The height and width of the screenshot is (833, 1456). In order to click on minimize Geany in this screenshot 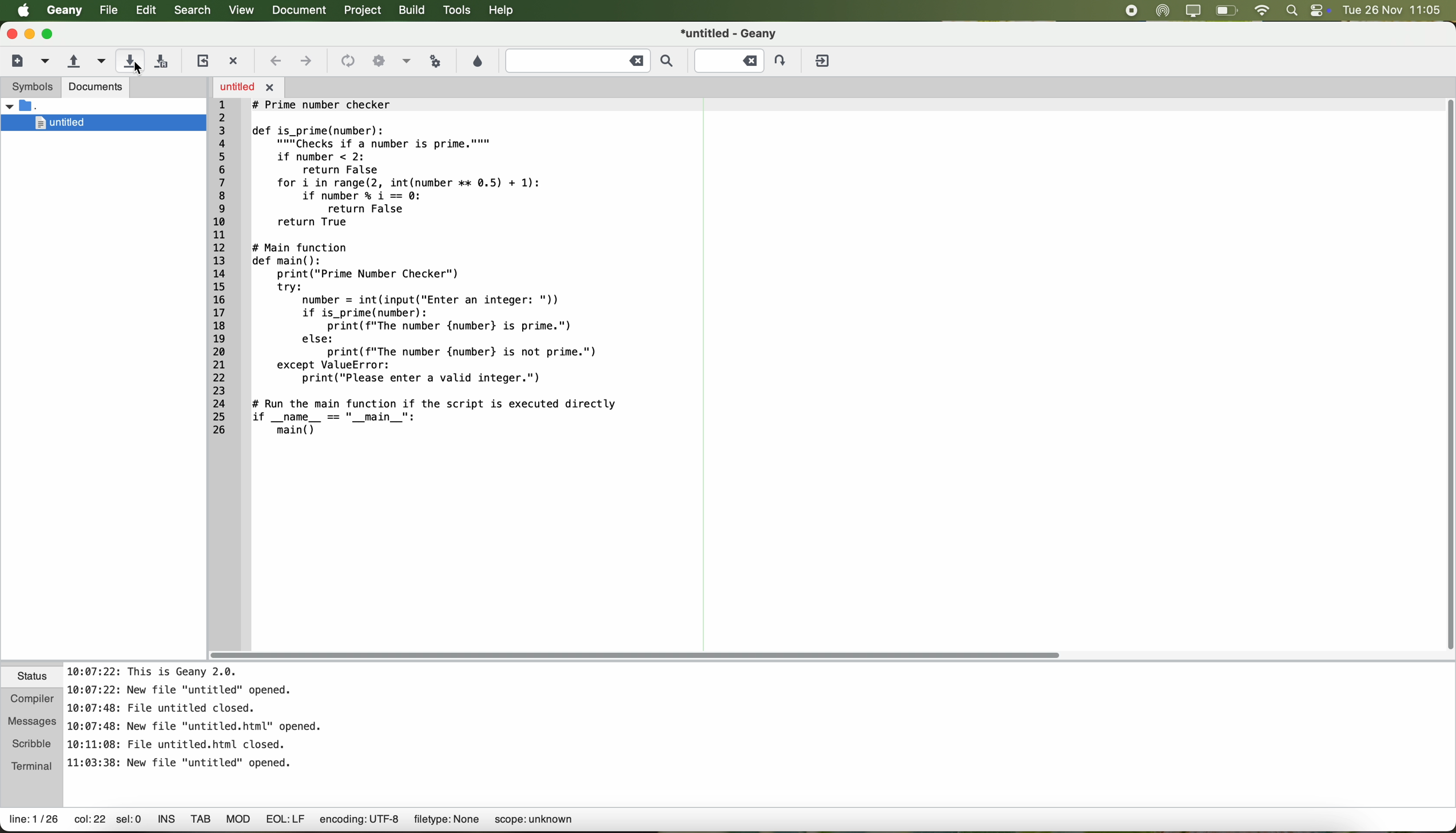, I will do `click(30, 33)`.